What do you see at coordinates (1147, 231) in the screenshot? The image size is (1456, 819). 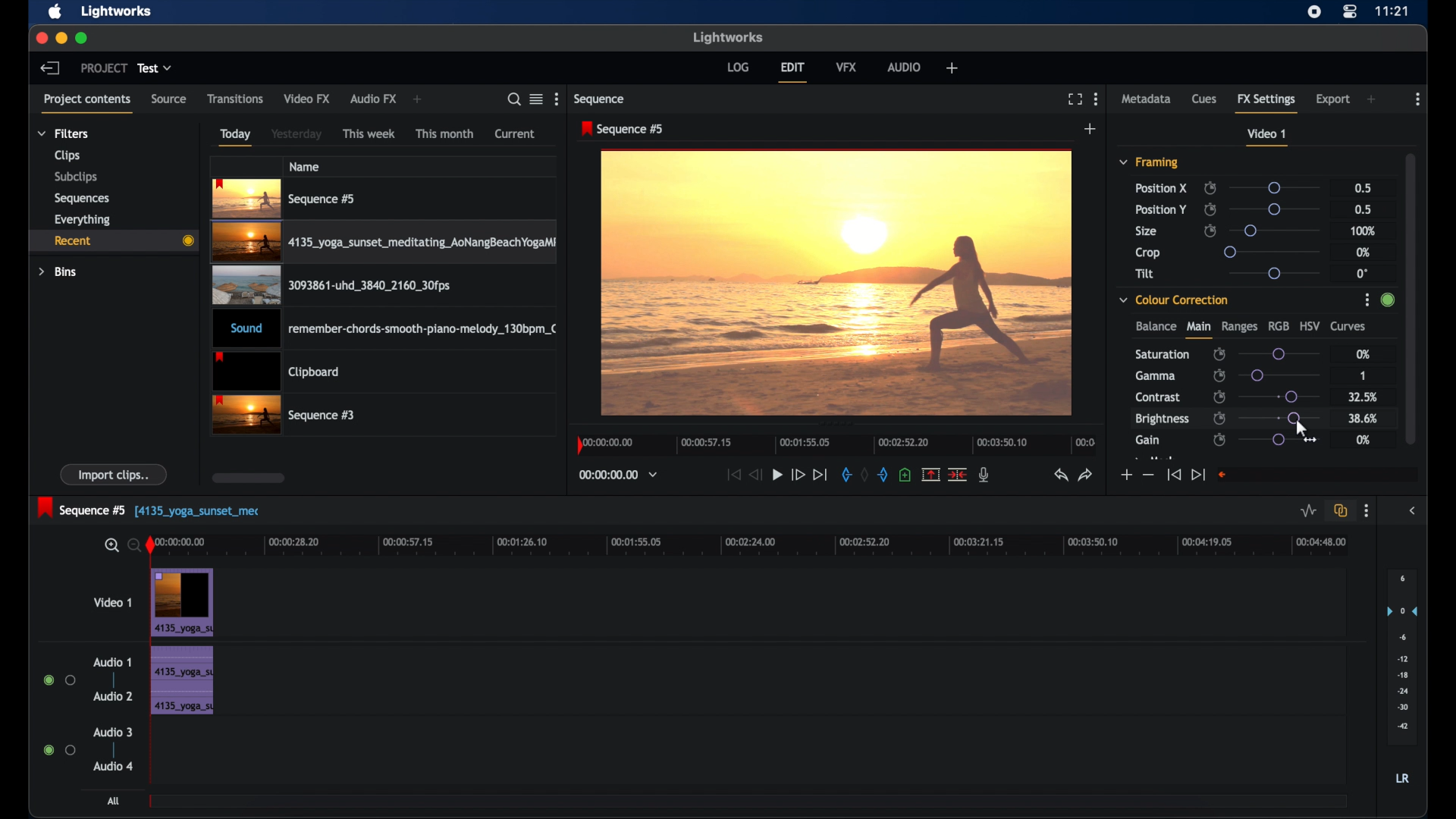 I see `size` at bounding box center [1147, 231].